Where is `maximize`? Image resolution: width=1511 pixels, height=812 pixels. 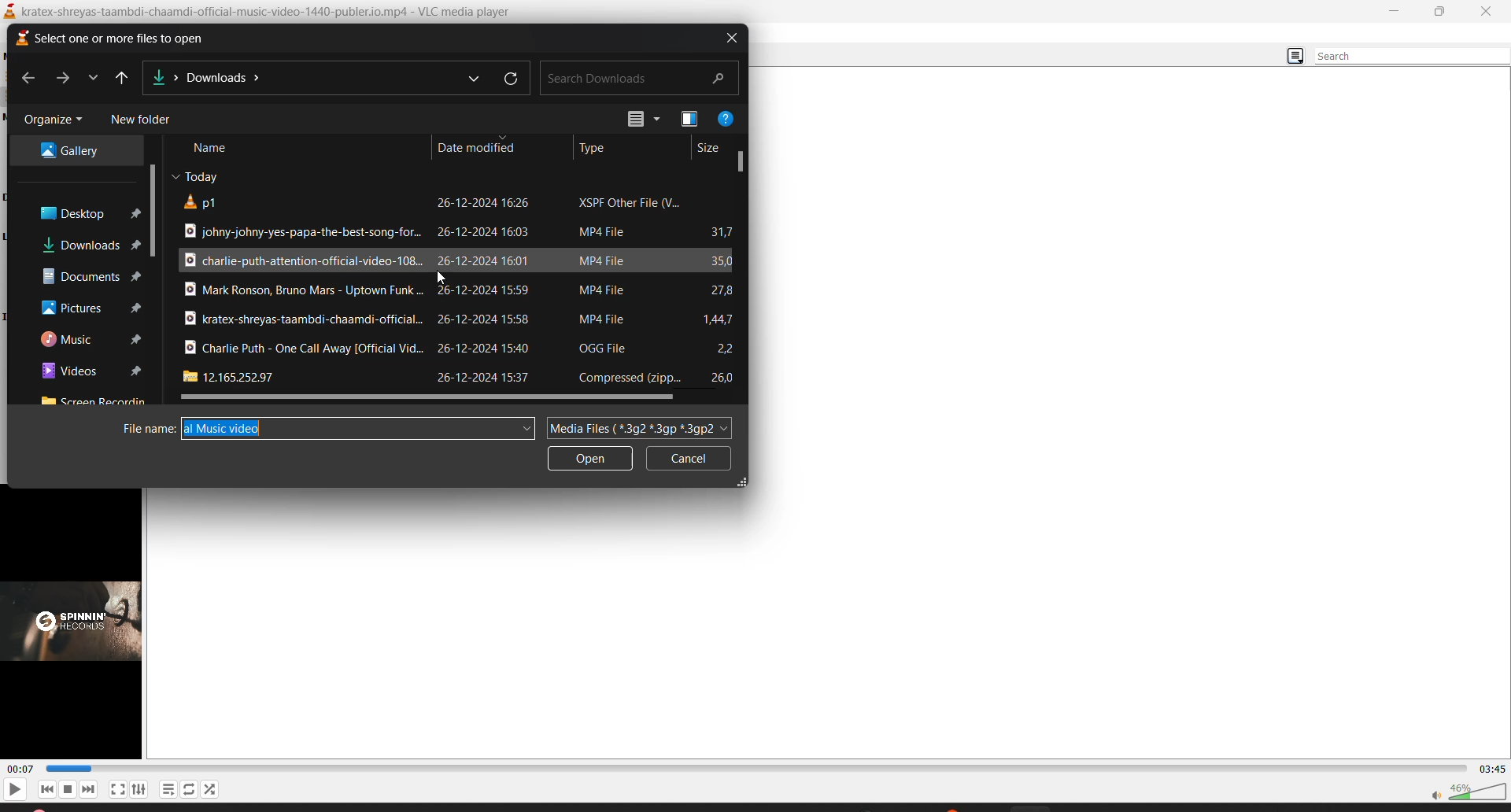
maximize is located at coordinates (1445, 13).